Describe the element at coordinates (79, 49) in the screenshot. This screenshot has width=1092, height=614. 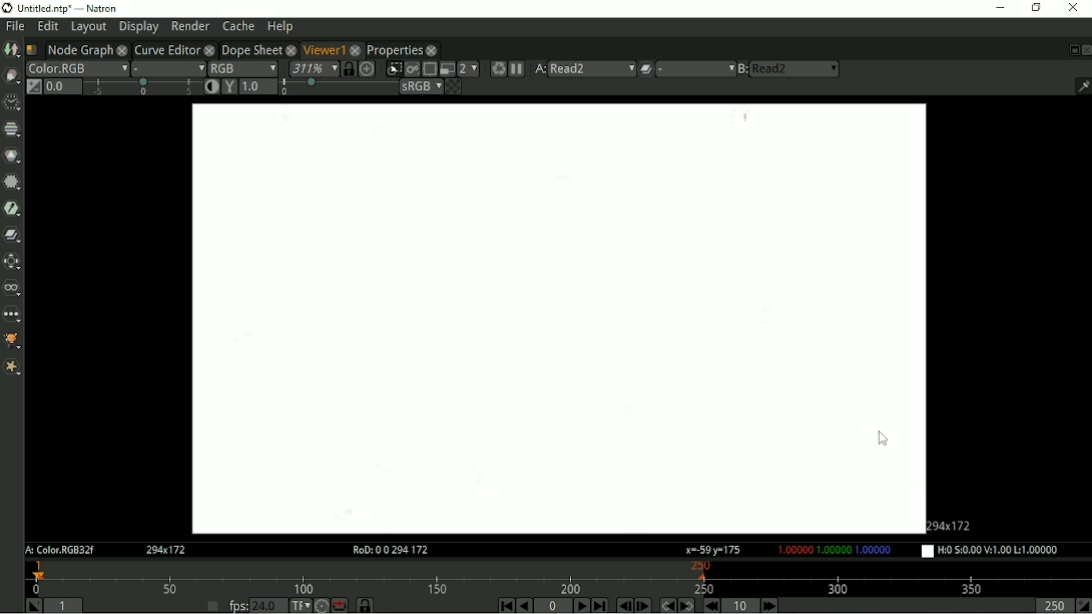
I see `Node Graph` at that location.